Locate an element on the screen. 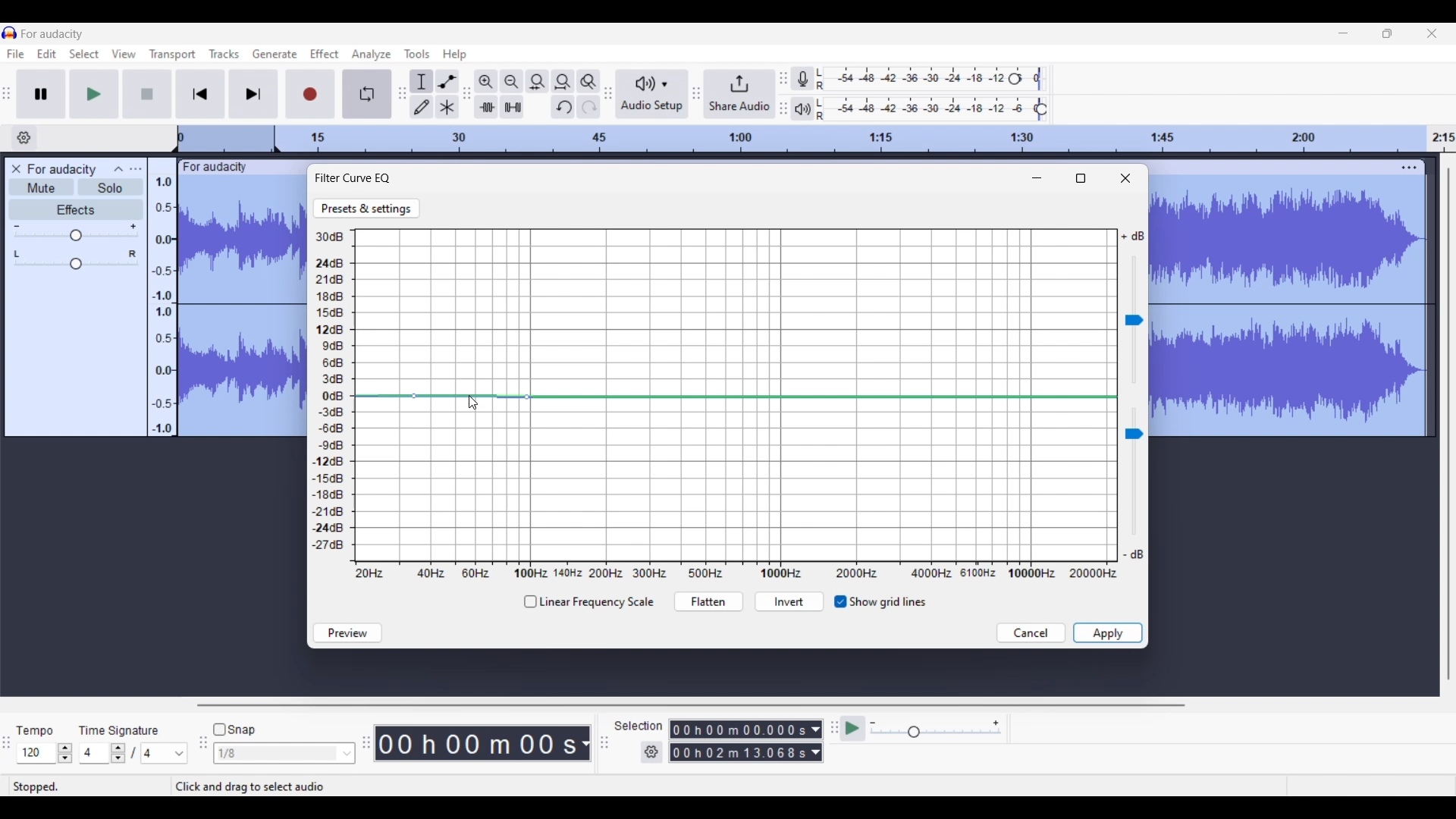 The height and width of the screenshot is (819, 1456). Vertical slide bar is located at coordinates (1448, 423).